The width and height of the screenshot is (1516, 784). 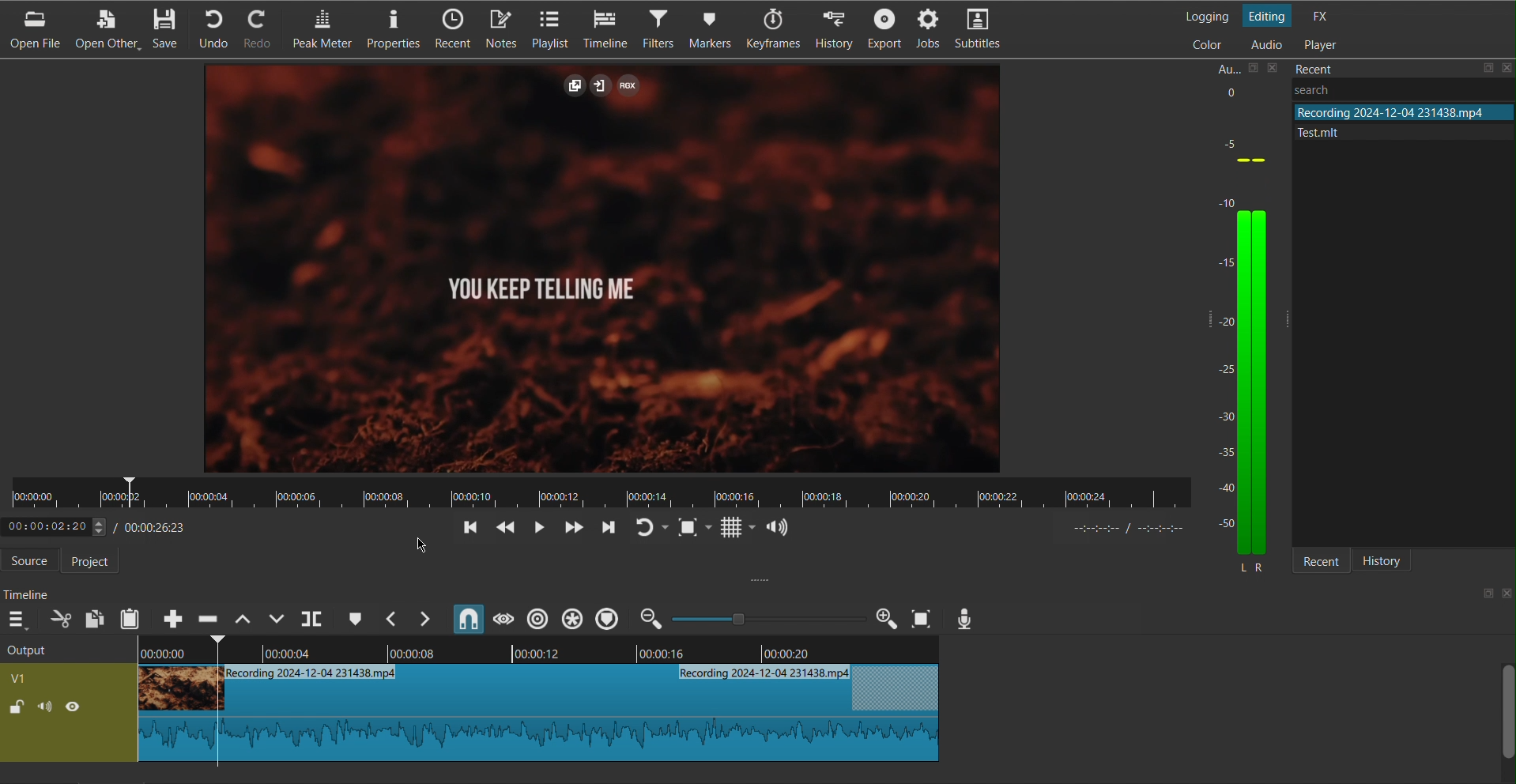 What do you see at coordinates (605, 529) in the screenshot?
I see `Move Forward` at bounding box center [605, 529].